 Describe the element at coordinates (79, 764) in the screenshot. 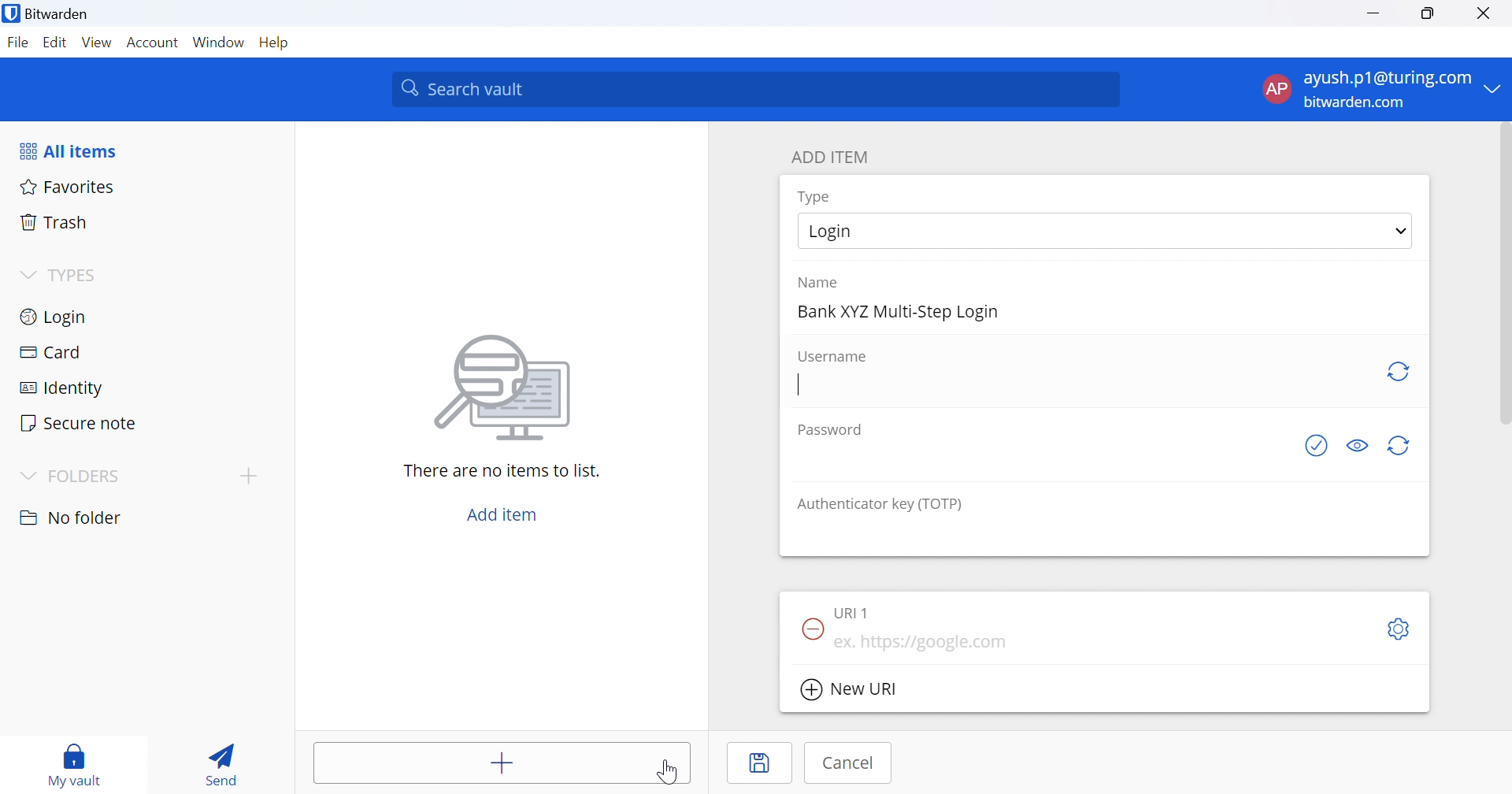

I see `my vault` at that location.